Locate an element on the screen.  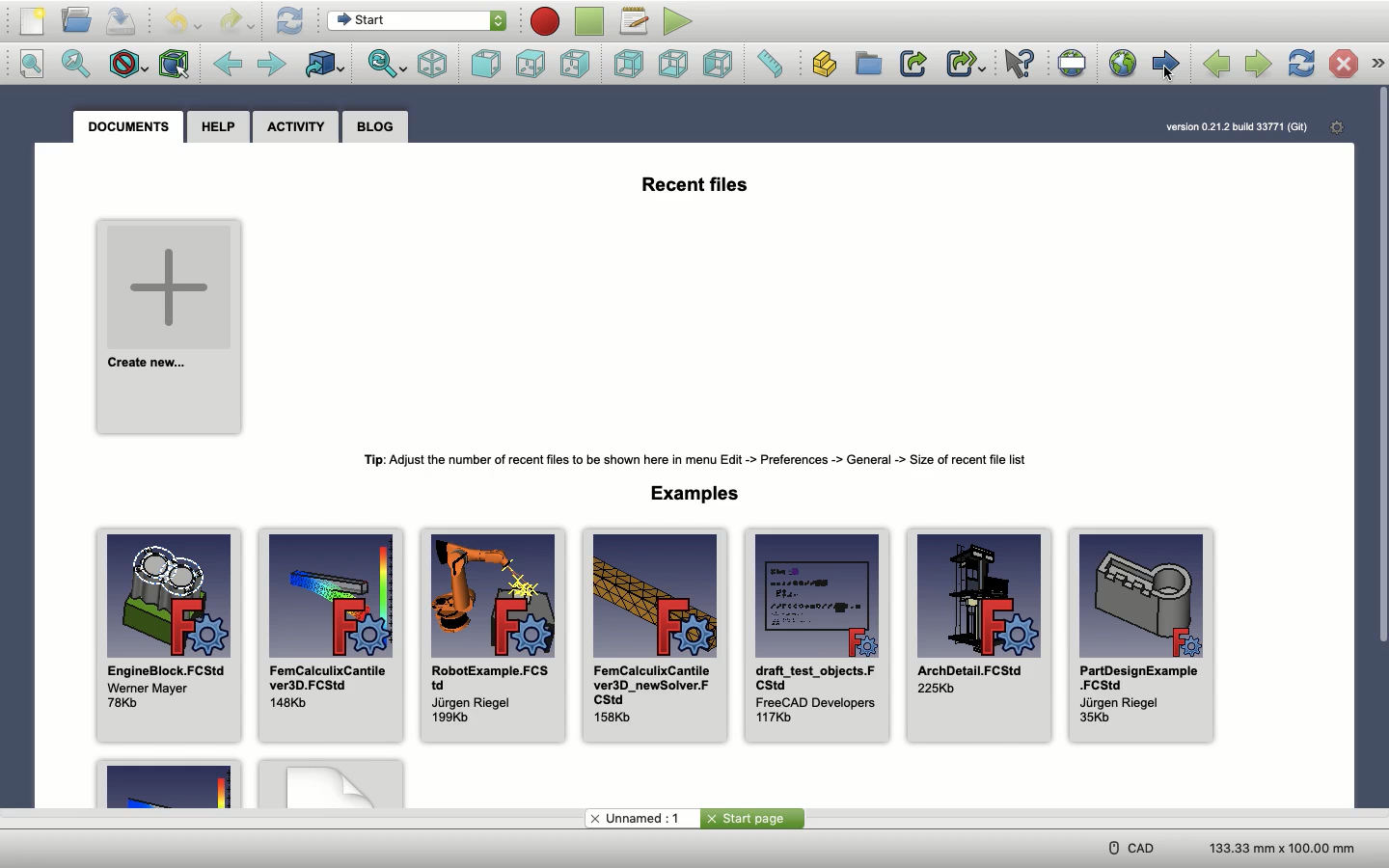
Set URL is located at coordinates (1073, 65).